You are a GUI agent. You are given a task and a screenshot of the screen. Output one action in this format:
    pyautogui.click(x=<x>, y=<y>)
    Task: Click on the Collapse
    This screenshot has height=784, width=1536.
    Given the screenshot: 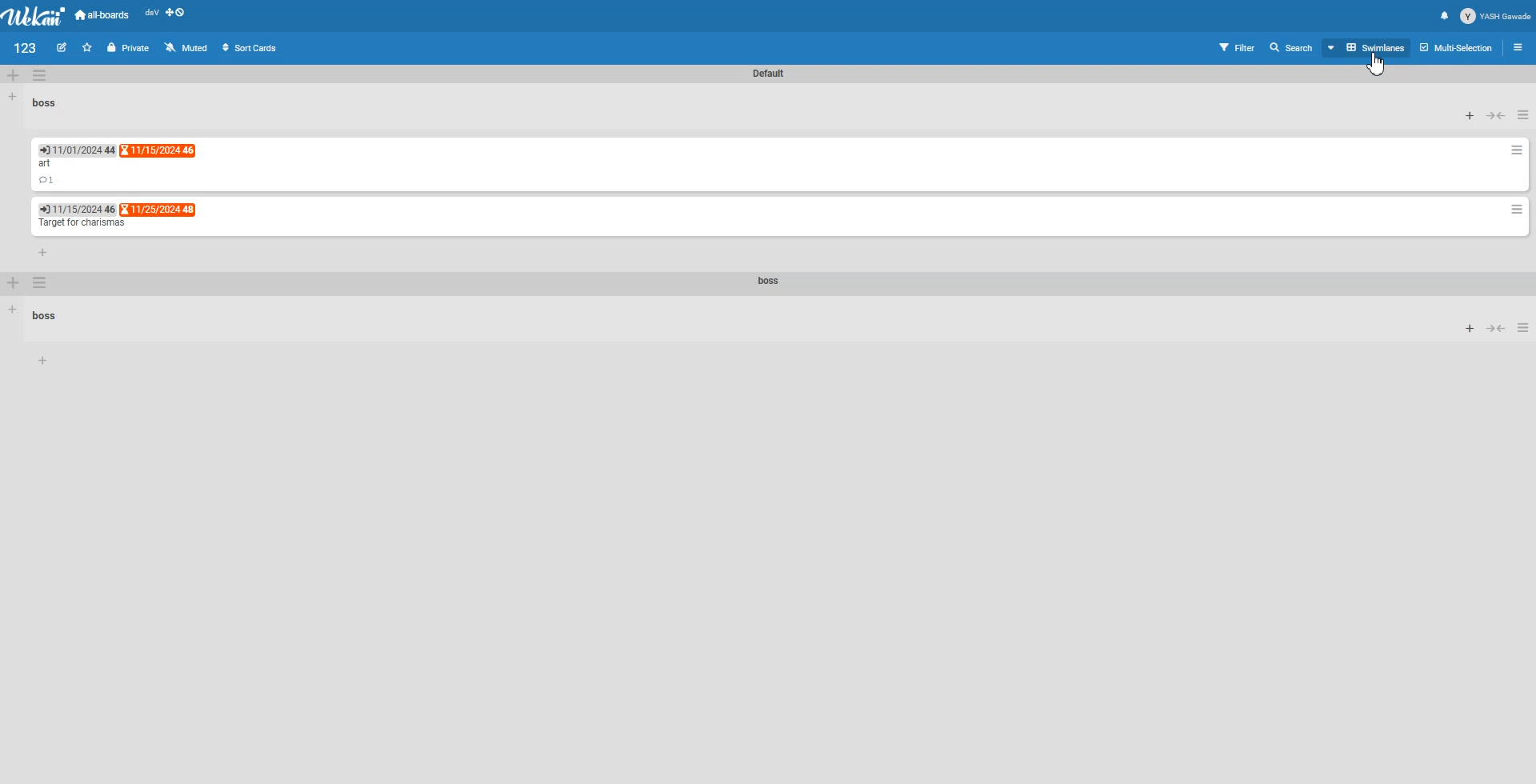 What is the action you would take?
    pyautogui.click(x=1497, y=115)
    